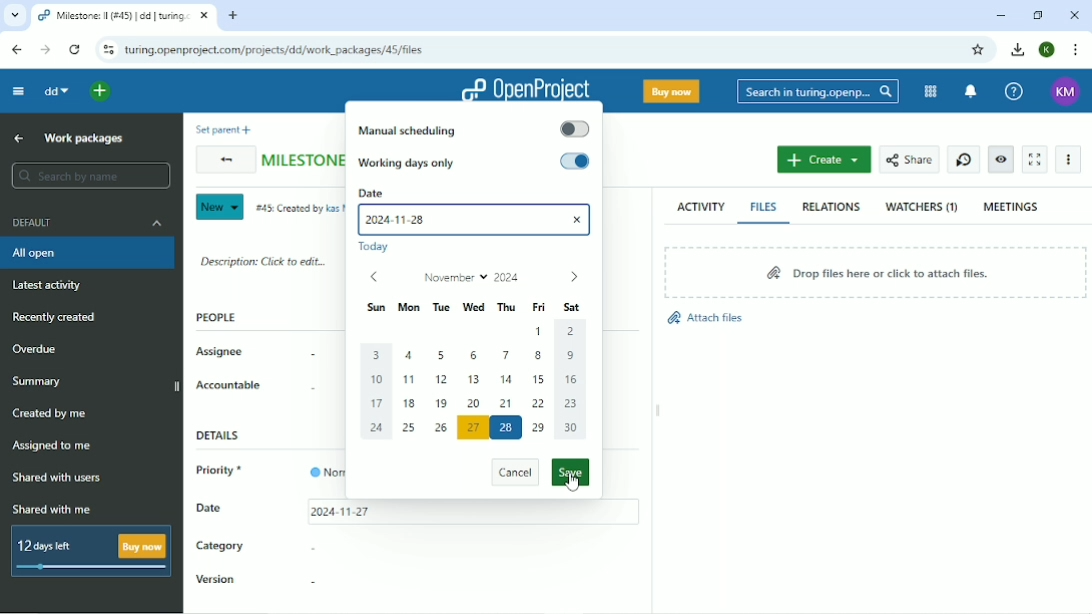 This screenshot has width=1092, height=614. I want to click on View site information , so click(105, 49).